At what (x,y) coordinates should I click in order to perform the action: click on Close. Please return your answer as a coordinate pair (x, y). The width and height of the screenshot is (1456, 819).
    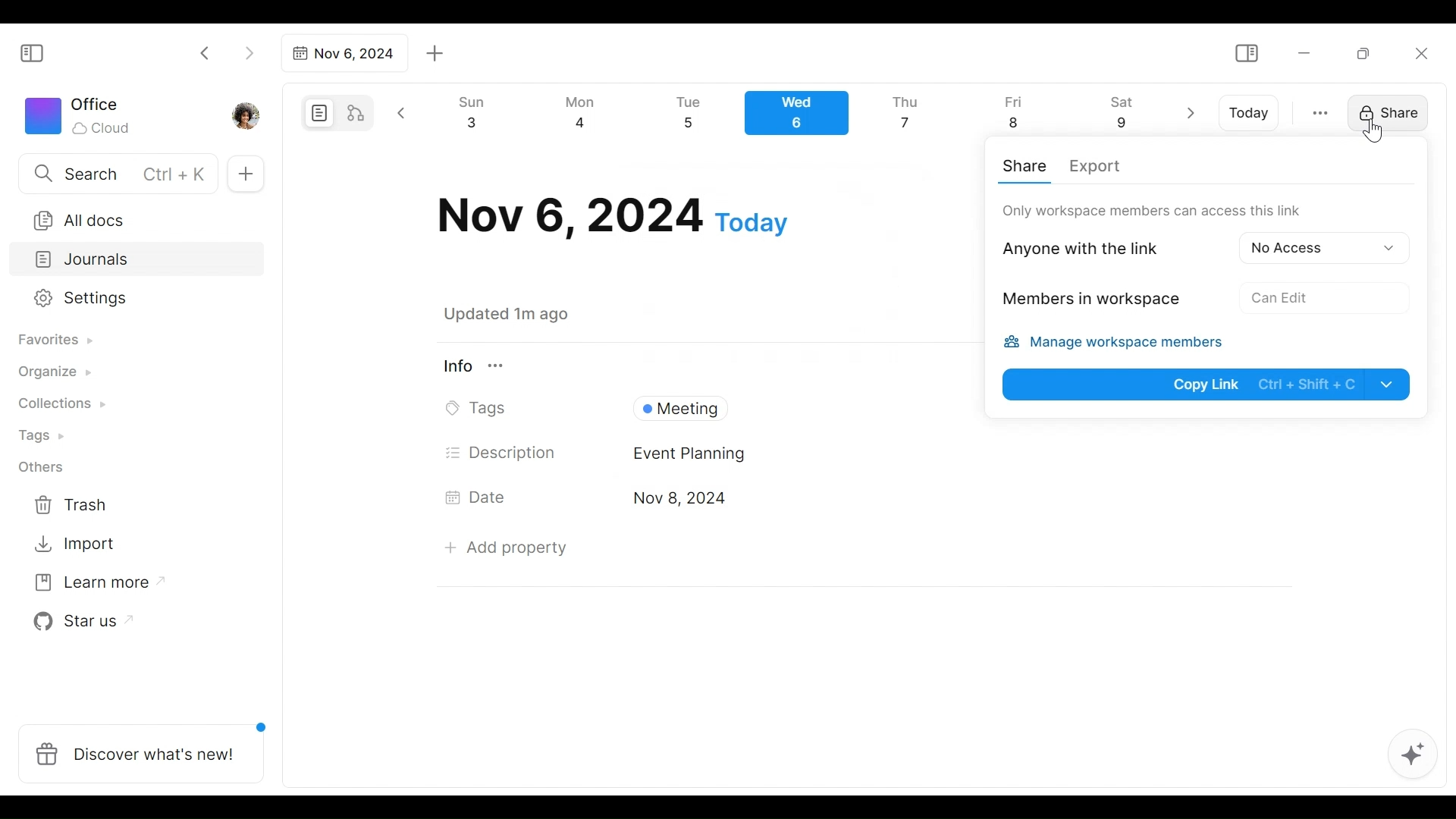
    Looking at the image, I should click on (1420, 53).